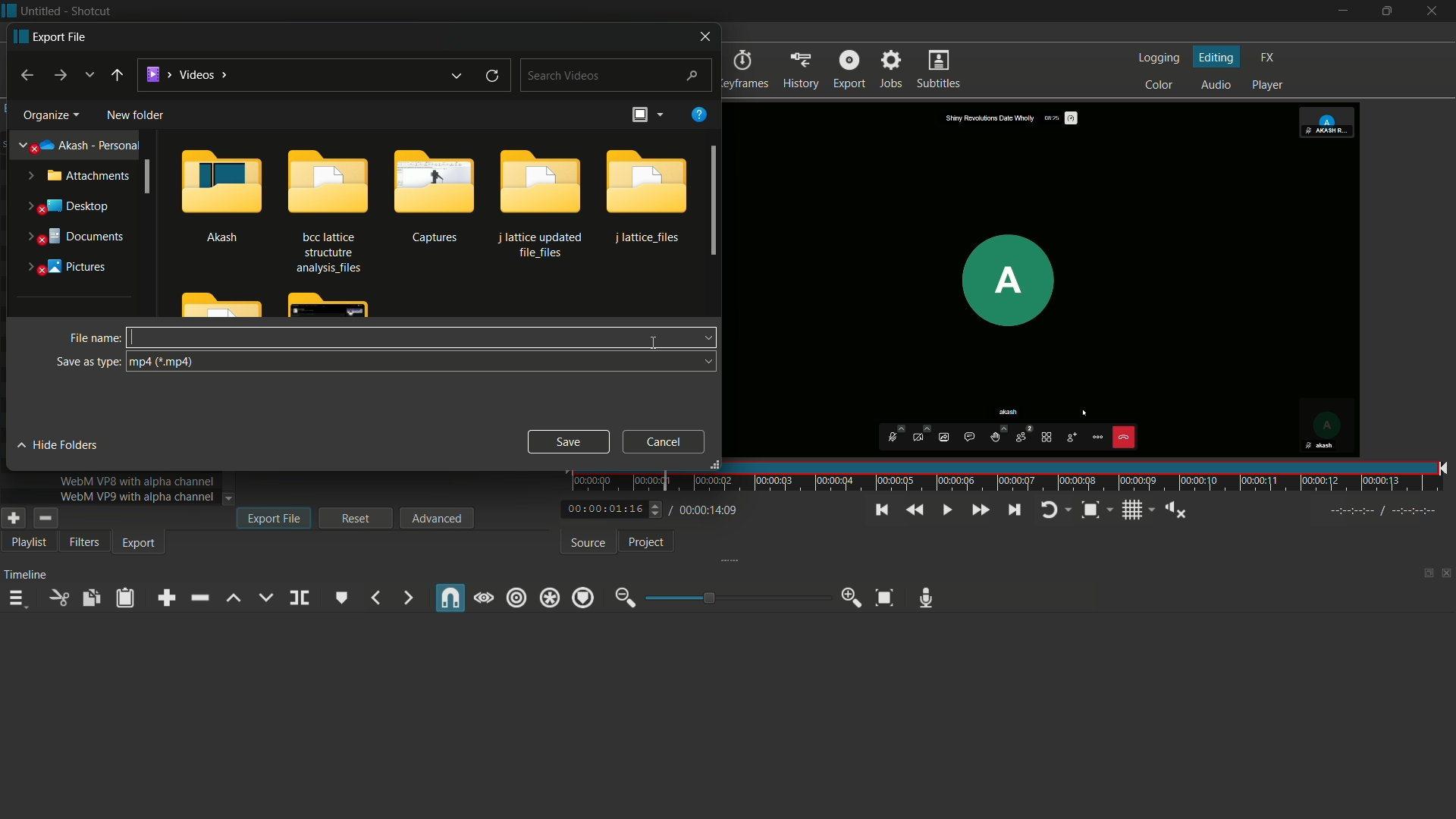 The height and width of the screenshot is (819, 1456). I want to click on previous location, so click(459, 75).